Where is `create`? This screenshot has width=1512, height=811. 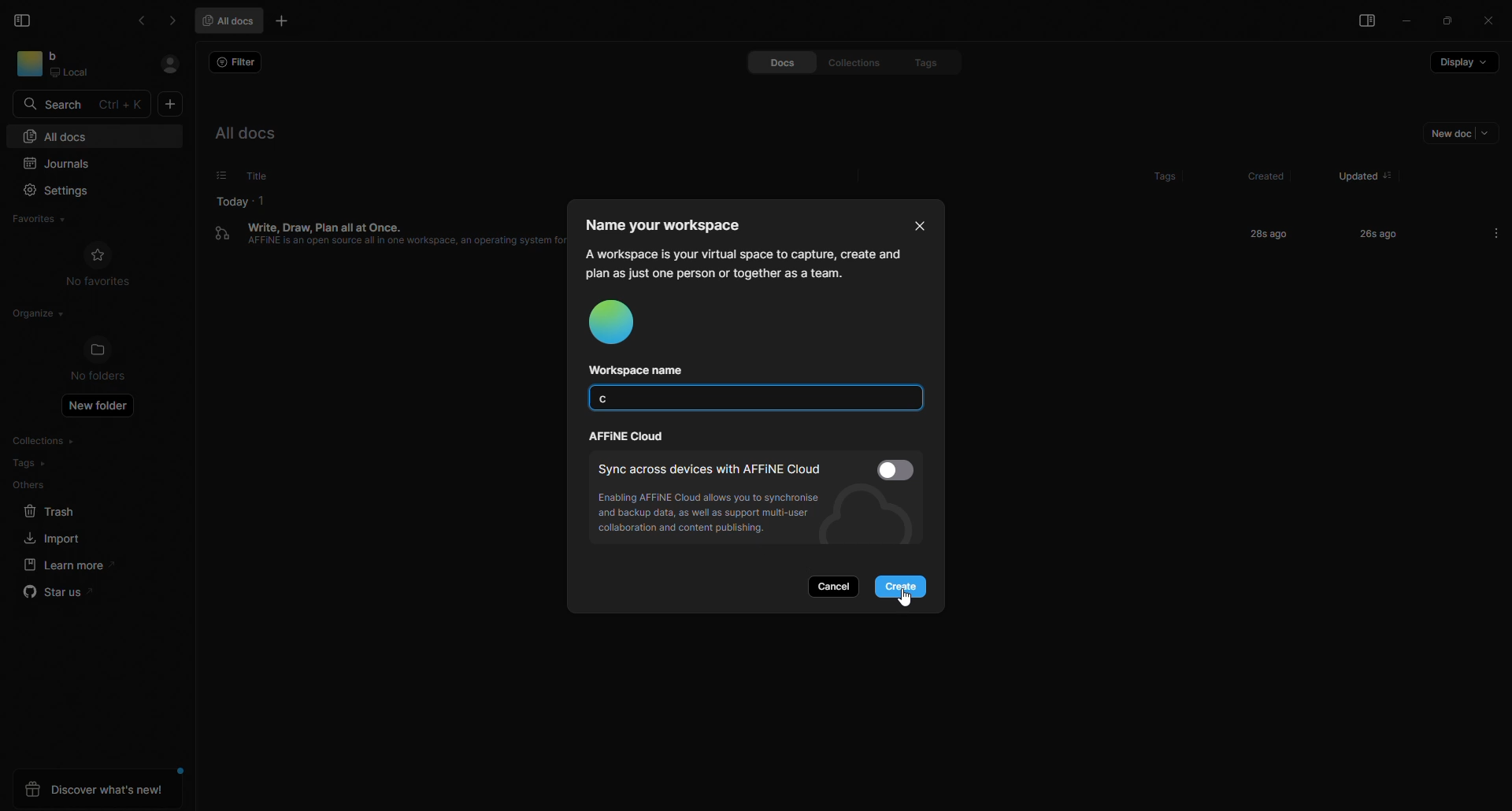 create is located at coordinates (905, 587).